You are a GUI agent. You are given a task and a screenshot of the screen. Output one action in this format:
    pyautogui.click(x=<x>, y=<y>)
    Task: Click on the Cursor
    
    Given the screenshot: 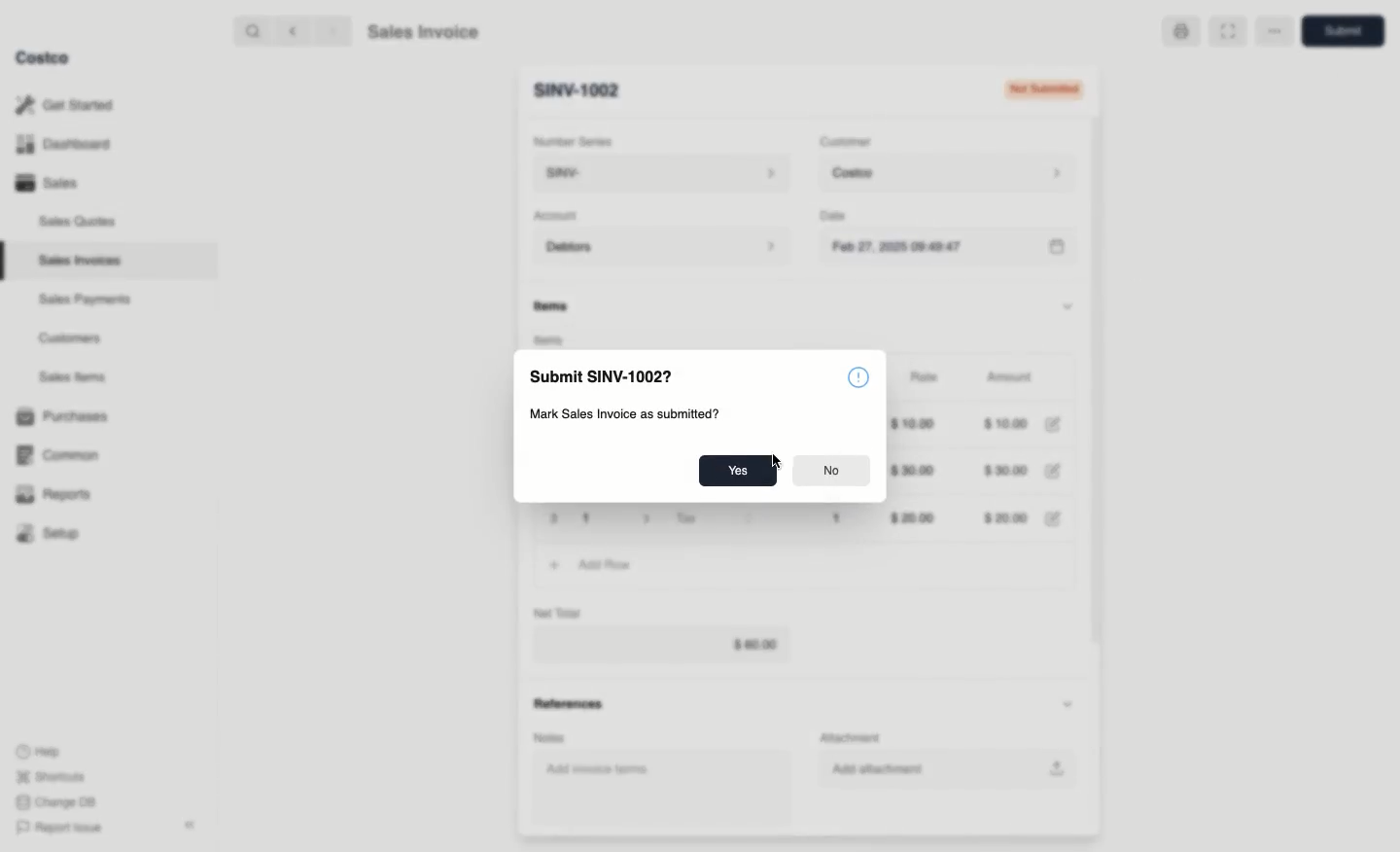 What is the action you would take?
    pyautogui.click(x=773, y=461)
    